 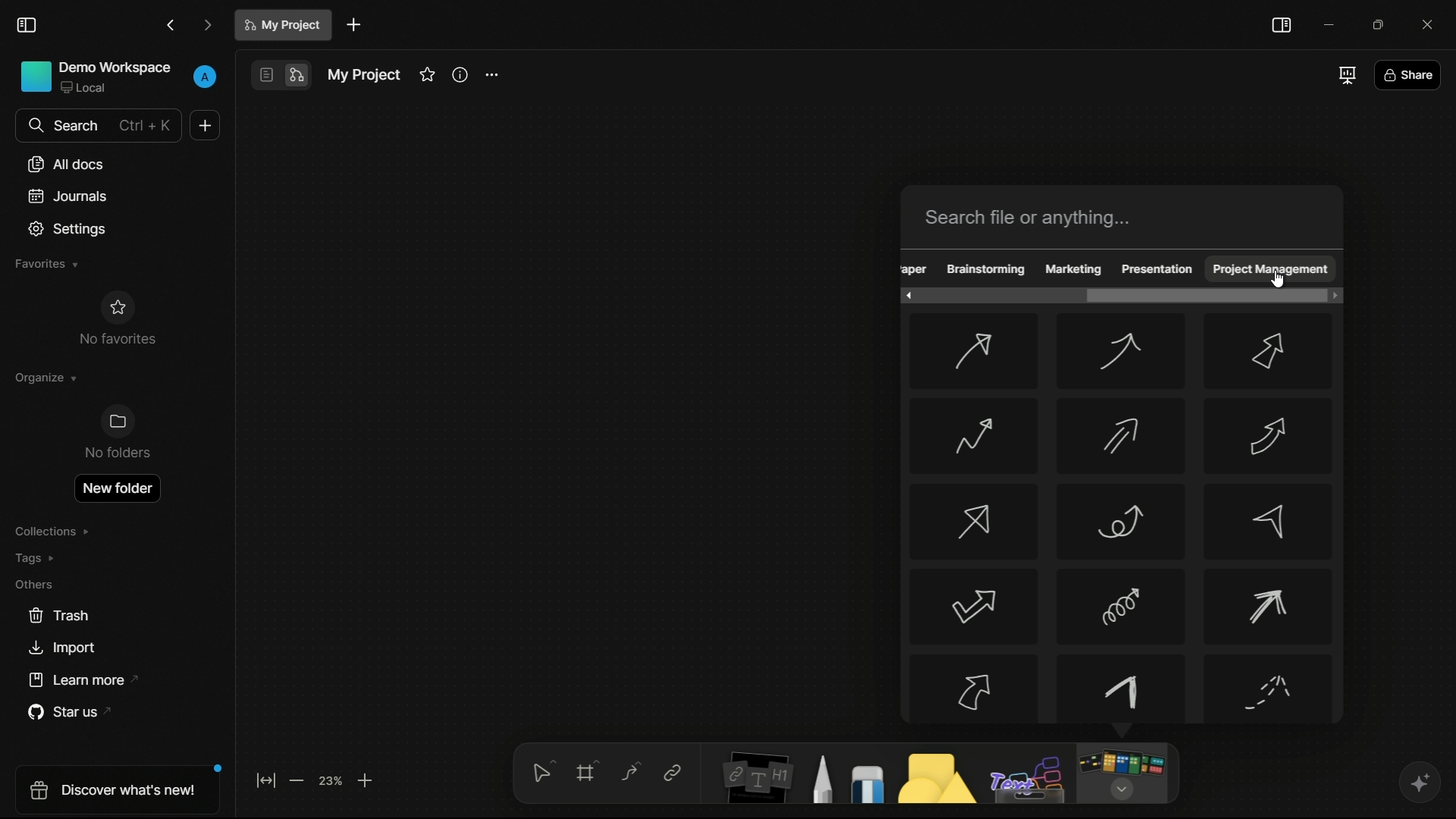 What do you see at coordinates (171, 26) in the screenshot?
I see `back` at bounding box center [171, 26].